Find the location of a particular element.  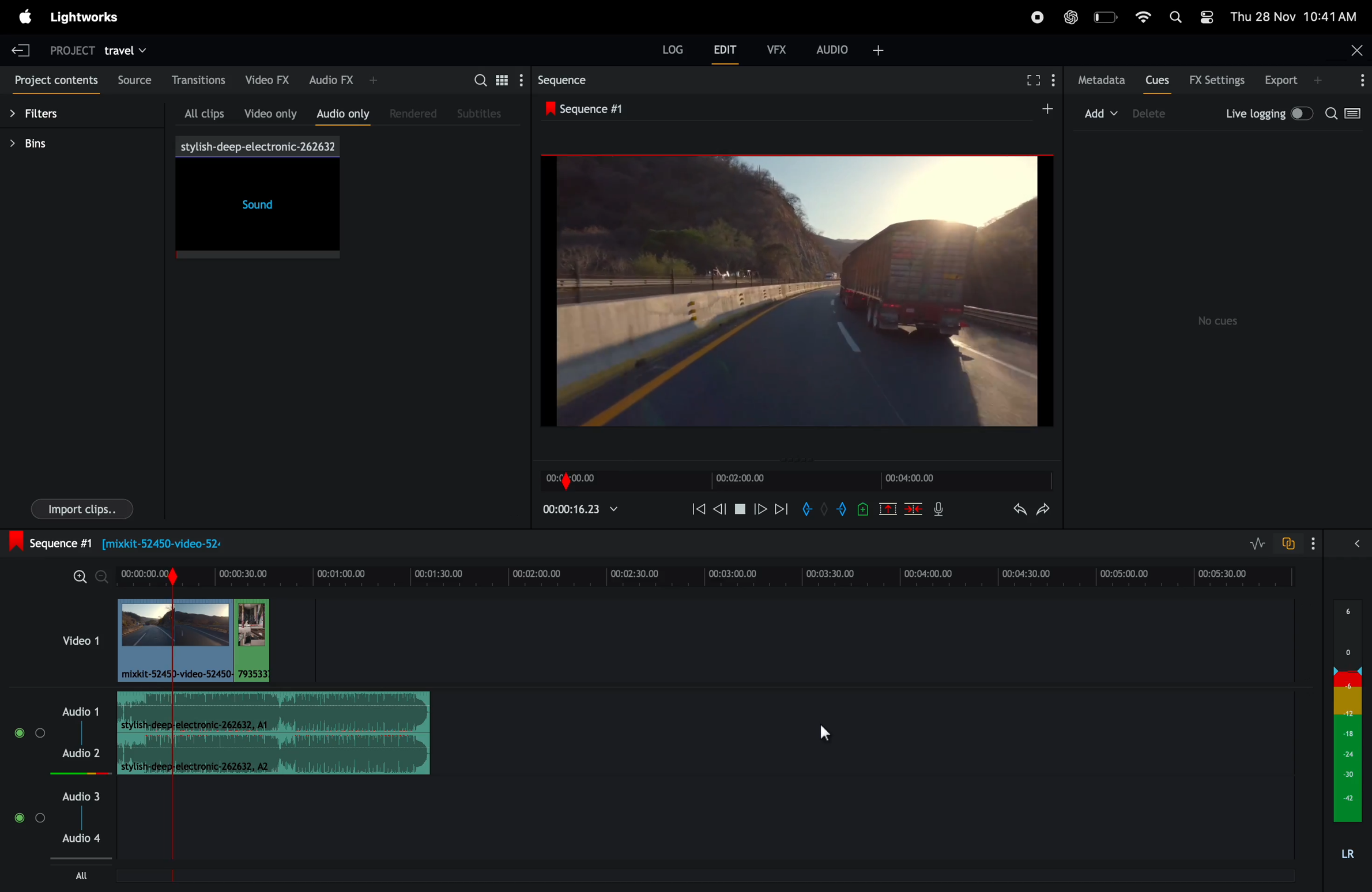

mic is located at coordinates (941, 510).